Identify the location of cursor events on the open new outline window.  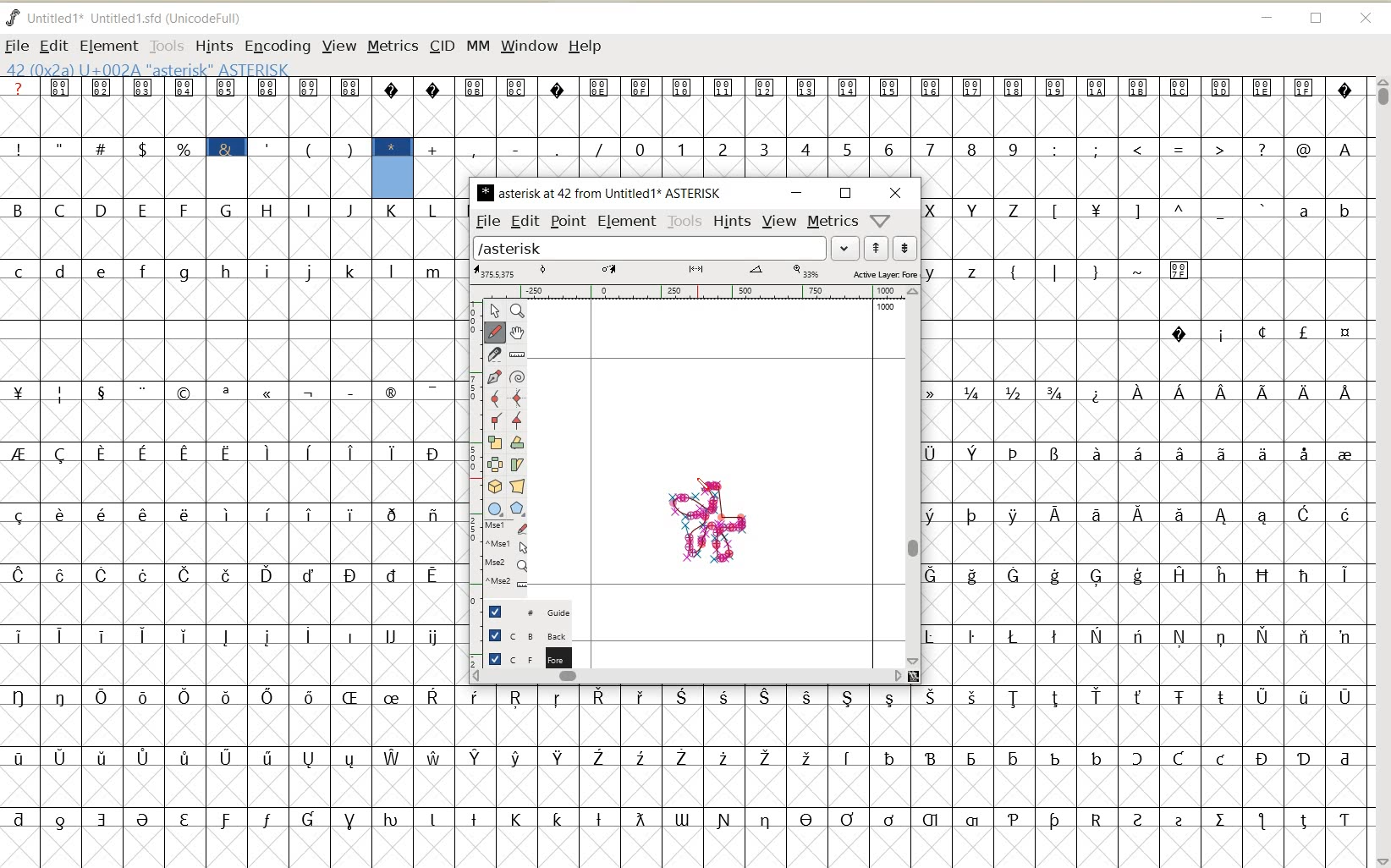
(508, 558).